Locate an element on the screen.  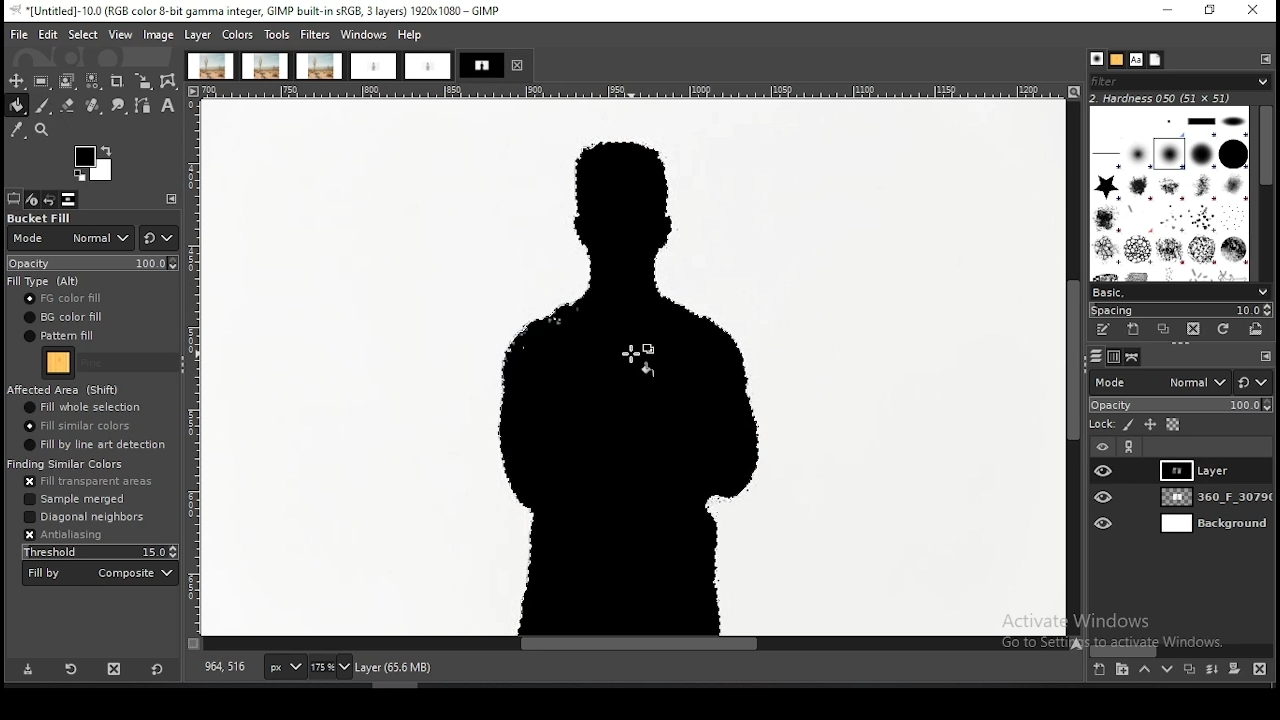
*[Untitled]-10.0 (RGB color 8-bit gamma integer, GIMP built-in sRGB, 2 layers) 1920x1080 — GIMP is located at coordinates (260, 11).